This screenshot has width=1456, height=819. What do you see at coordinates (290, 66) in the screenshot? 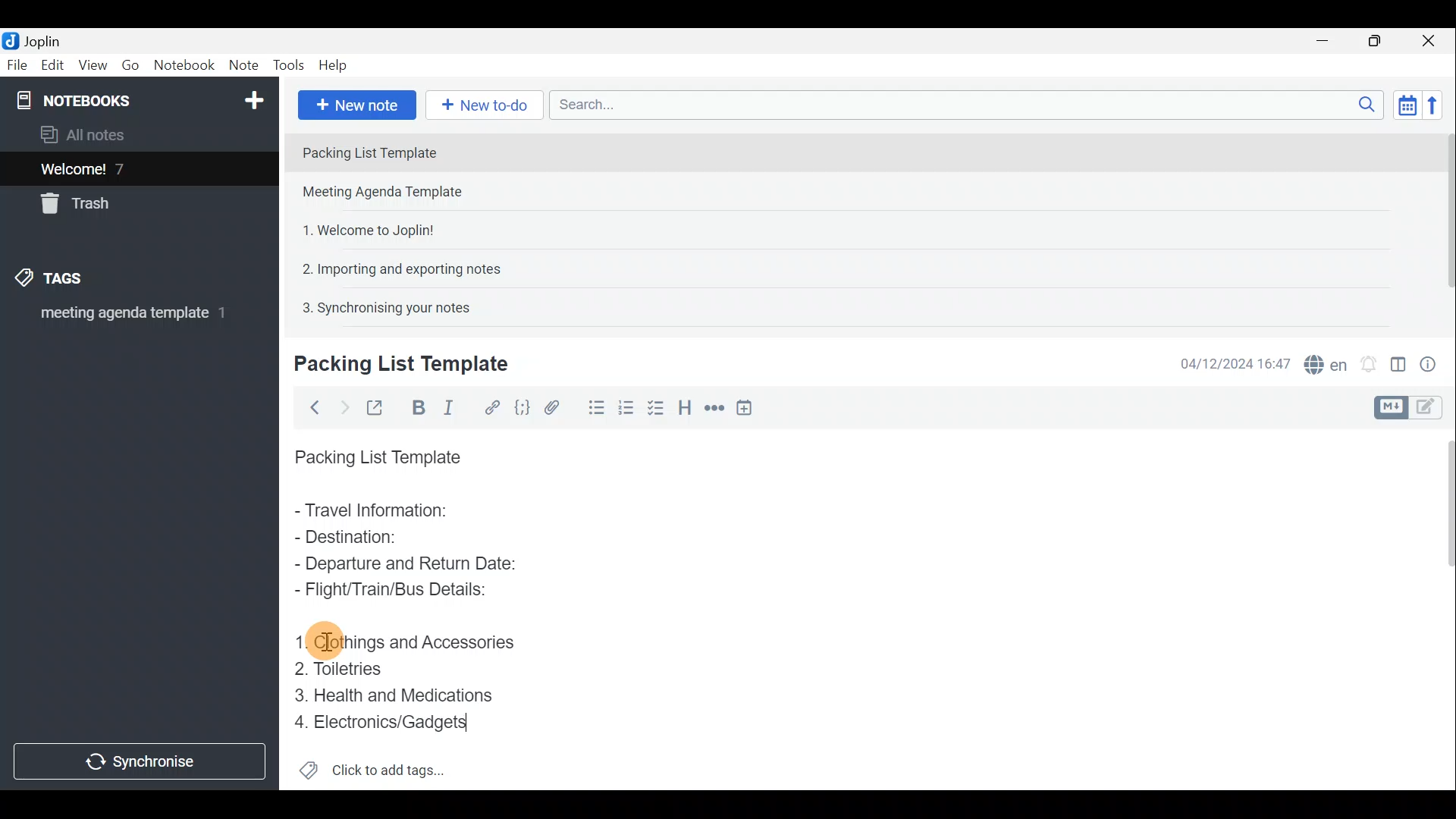
I see `Tools` at bounding box center [290, 66].